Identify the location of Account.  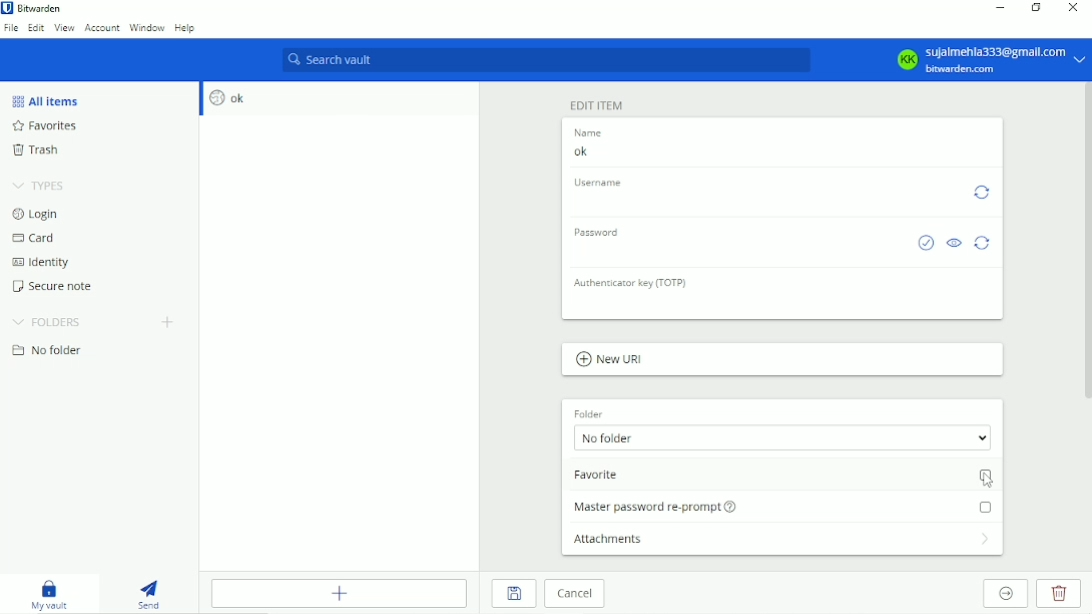
(102, 28).